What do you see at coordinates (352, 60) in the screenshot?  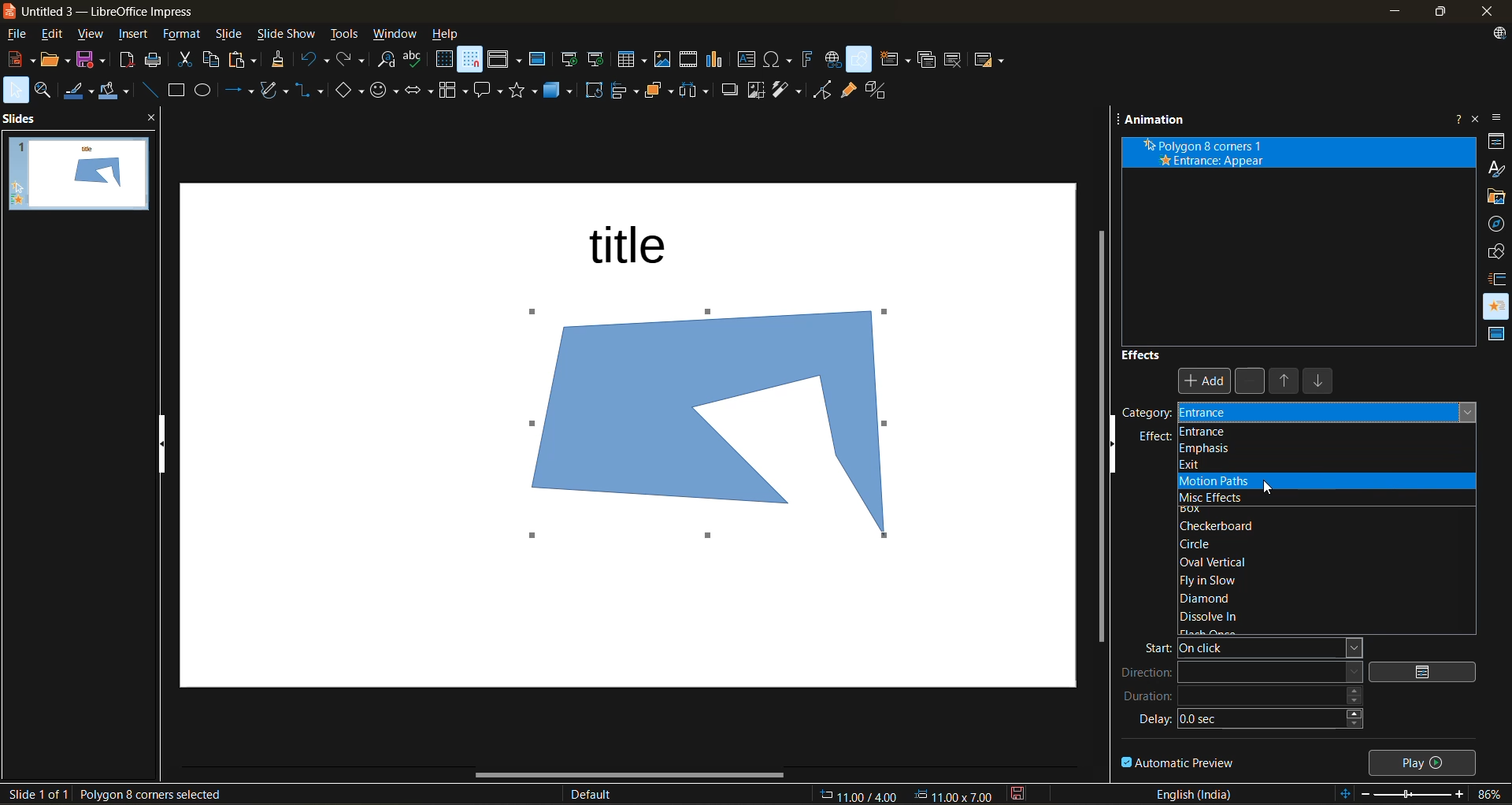 I see `redo` at bounding box center [352, 60].